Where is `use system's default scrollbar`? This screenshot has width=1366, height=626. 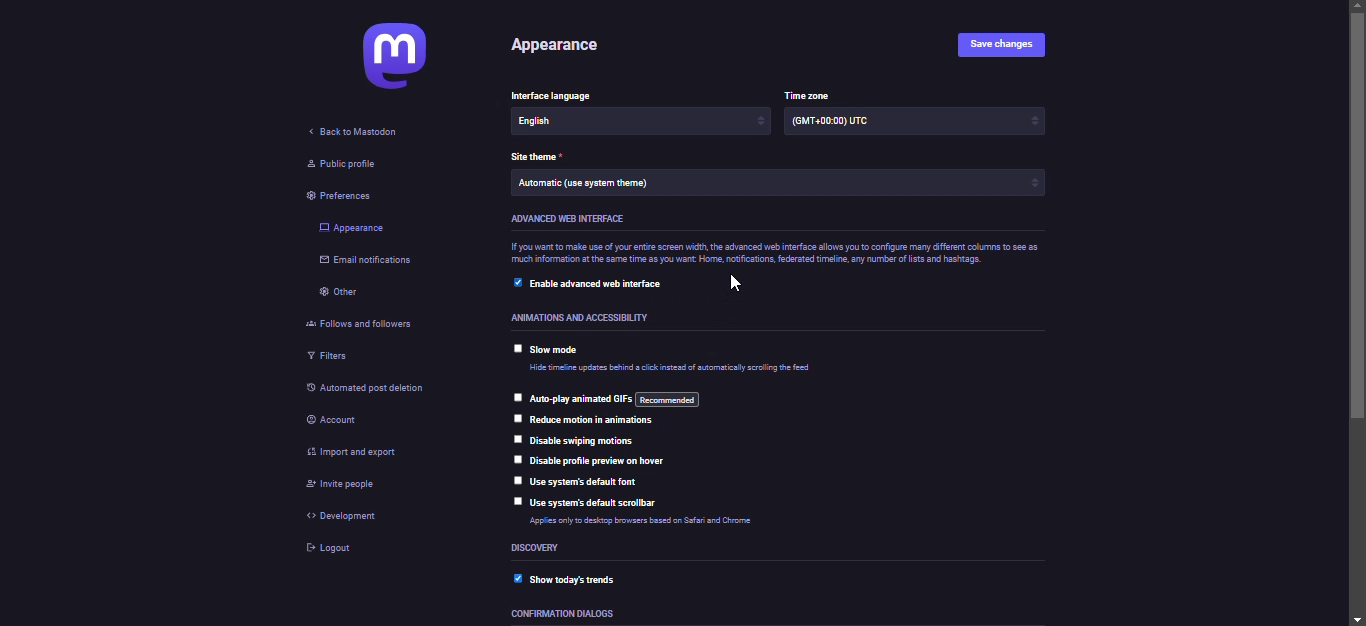
use system's default scrollbar is located at coordinates (598, 501).